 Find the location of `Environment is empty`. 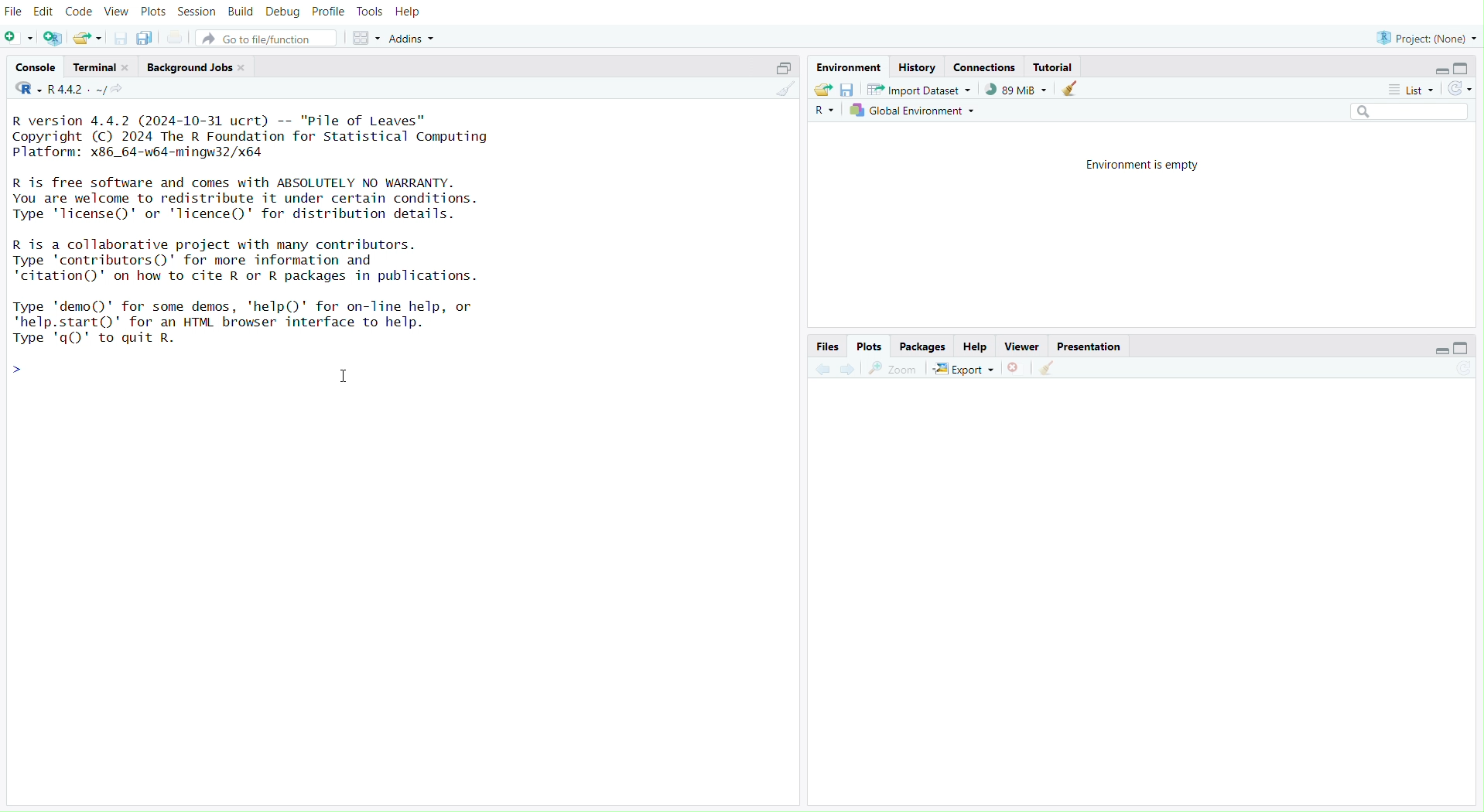

Environment is empty is located at coordinates (1149, 164).